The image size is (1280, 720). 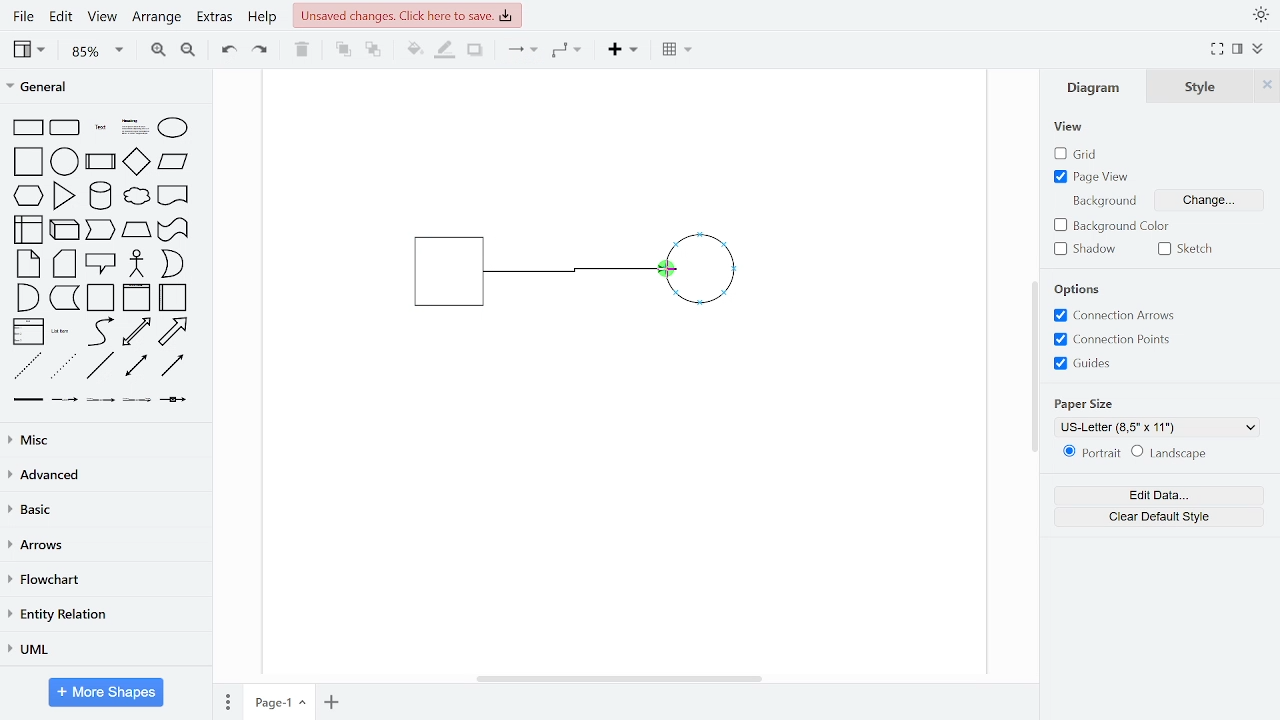 I want to click on zoom in, so click(x=156, y=48).